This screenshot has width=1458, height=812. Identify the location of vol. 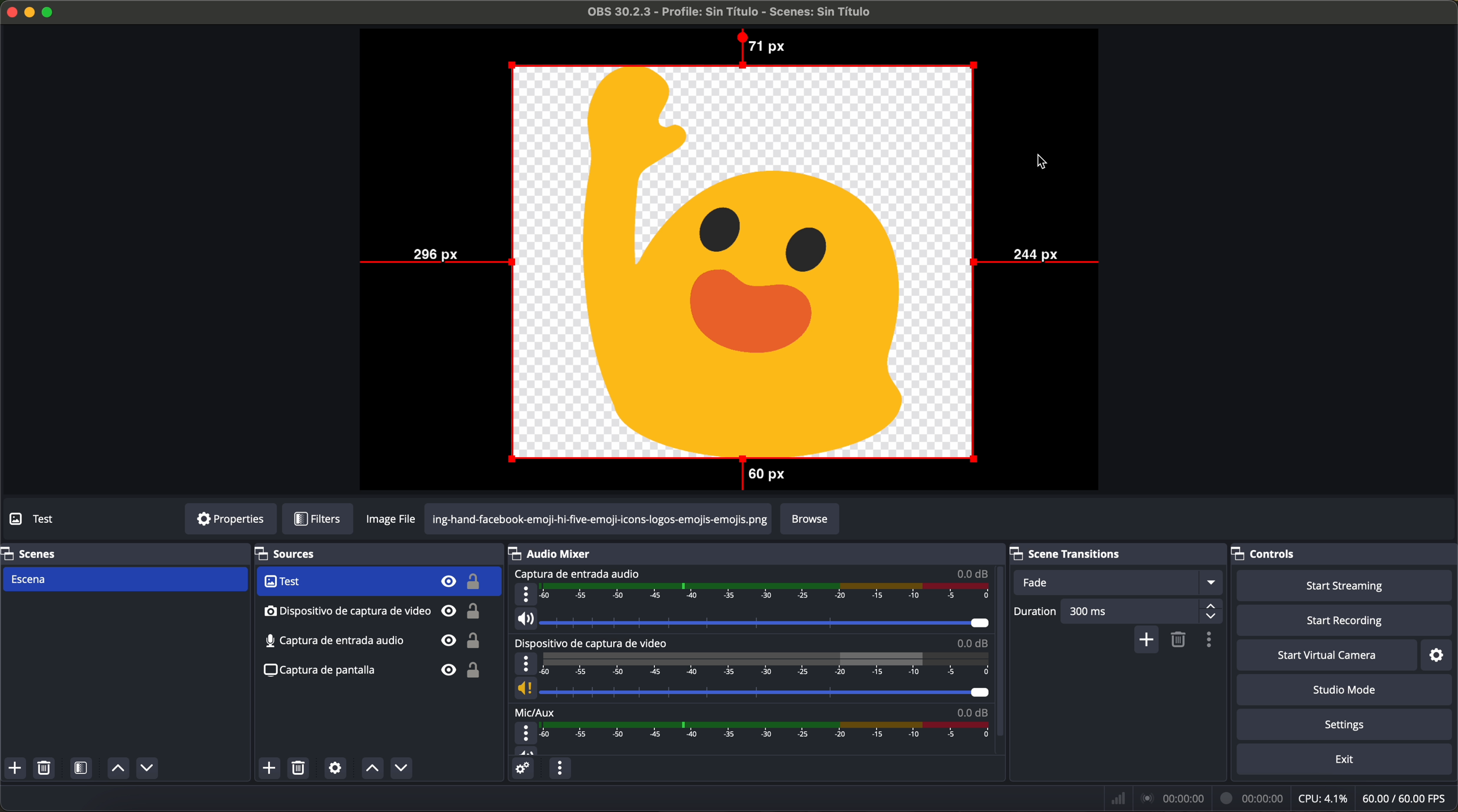
(526, 750).